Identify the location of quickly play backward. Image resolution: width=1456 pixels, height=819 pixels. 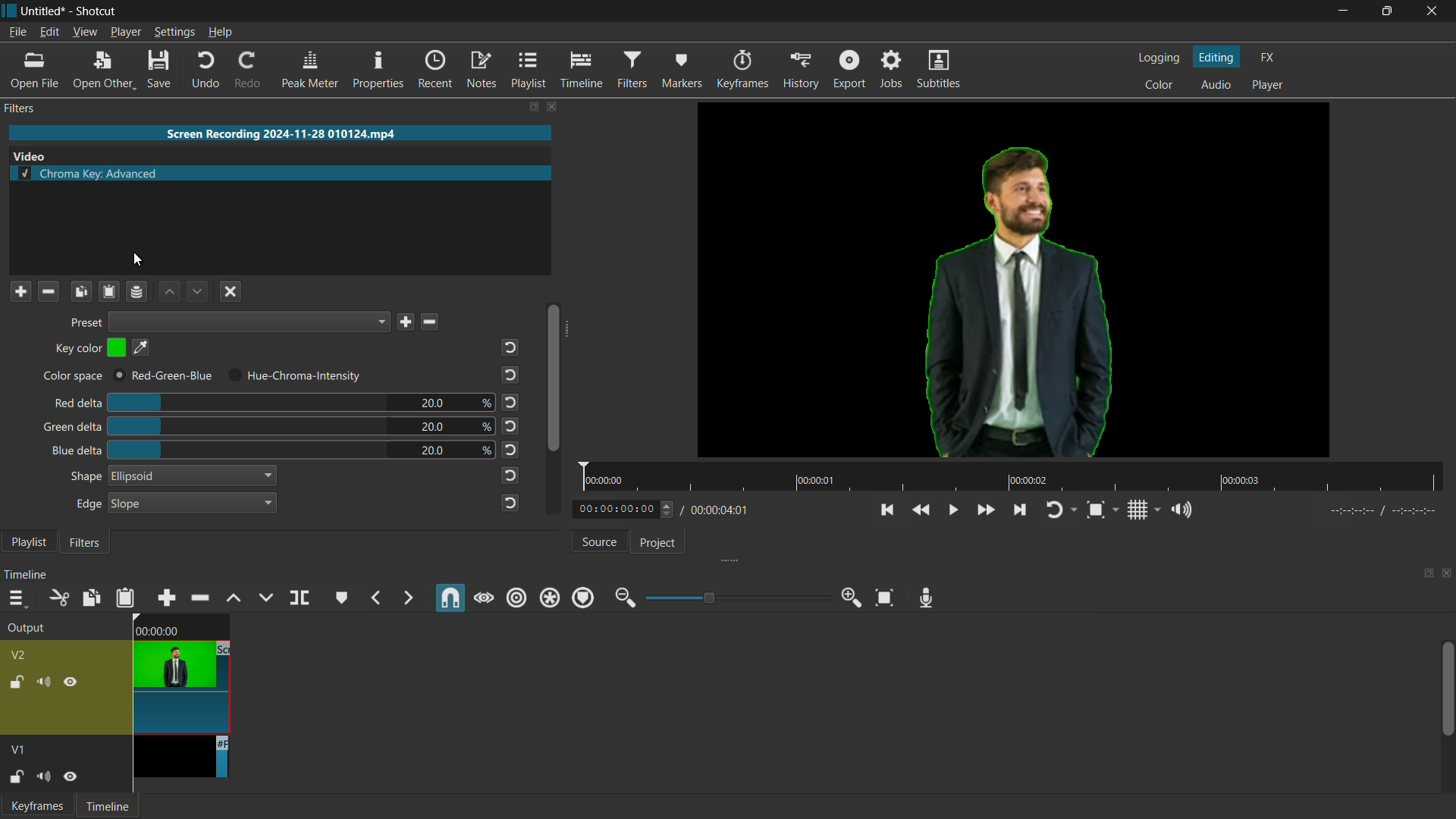
(921, 511).